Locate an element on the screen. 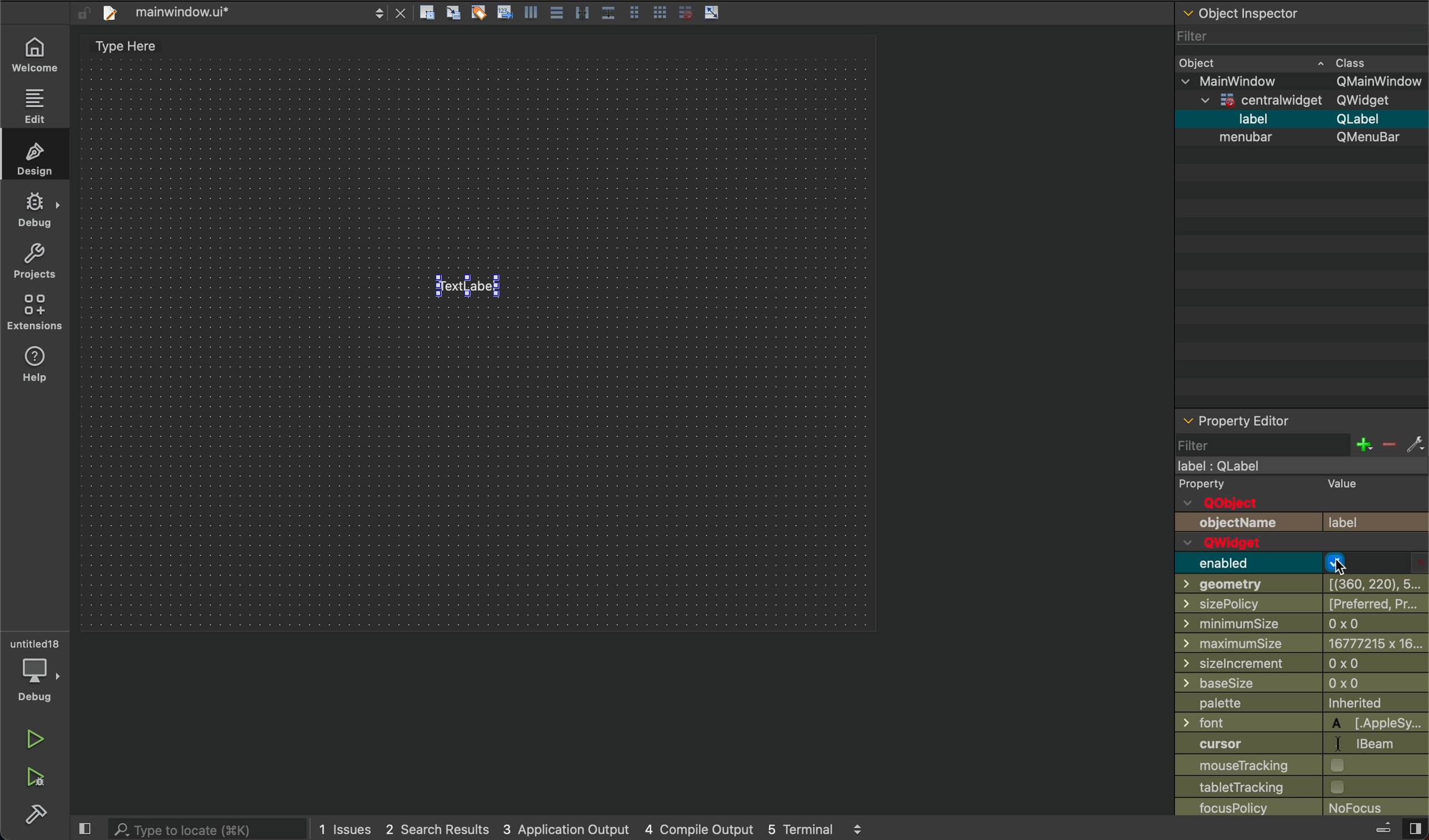  palette is located at coordinates (1231, 703).